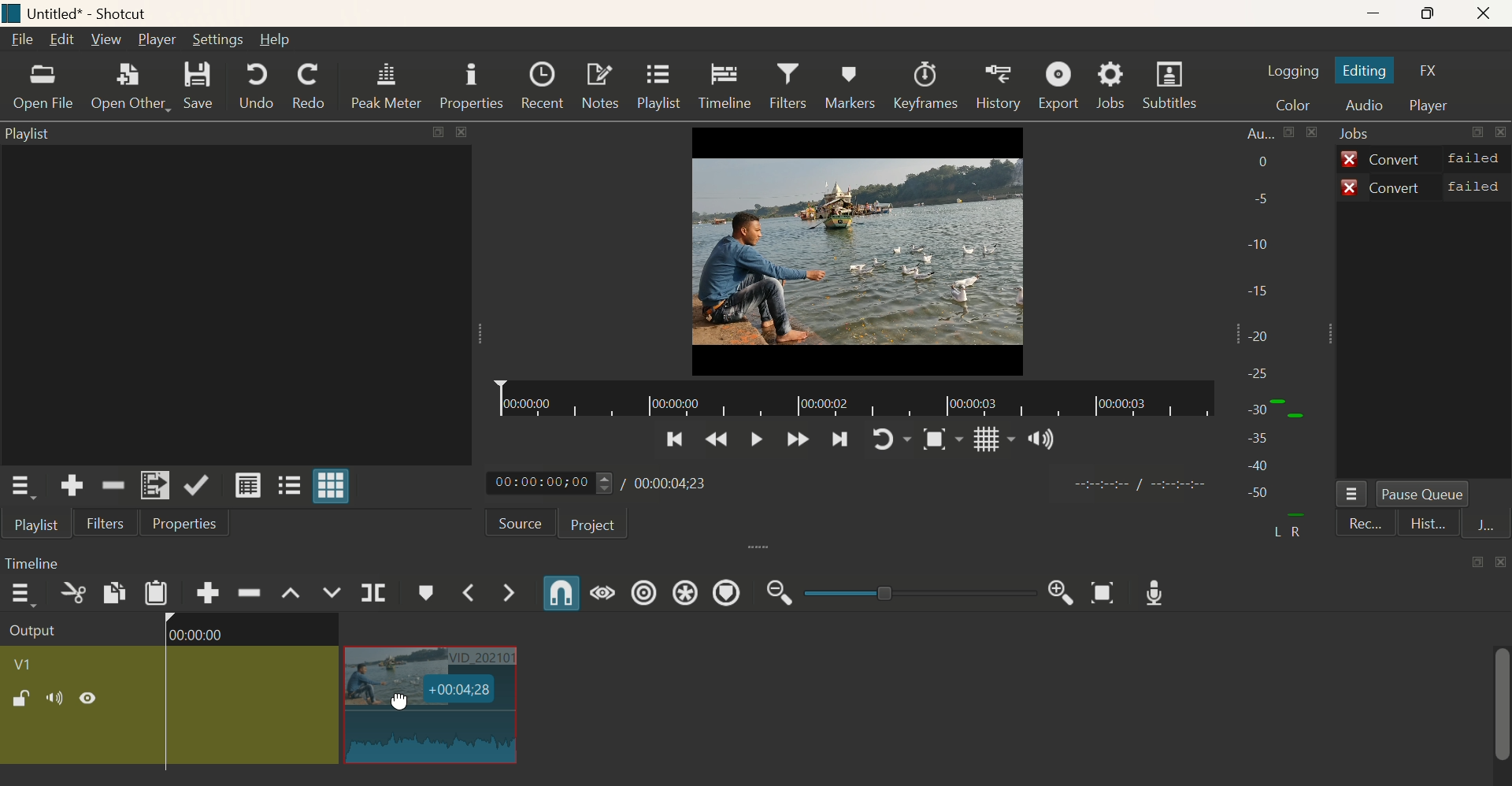  What do you see at coordinates (159, 595) in the screenshot?
I see `Paste` at bounding box center [159, 595].